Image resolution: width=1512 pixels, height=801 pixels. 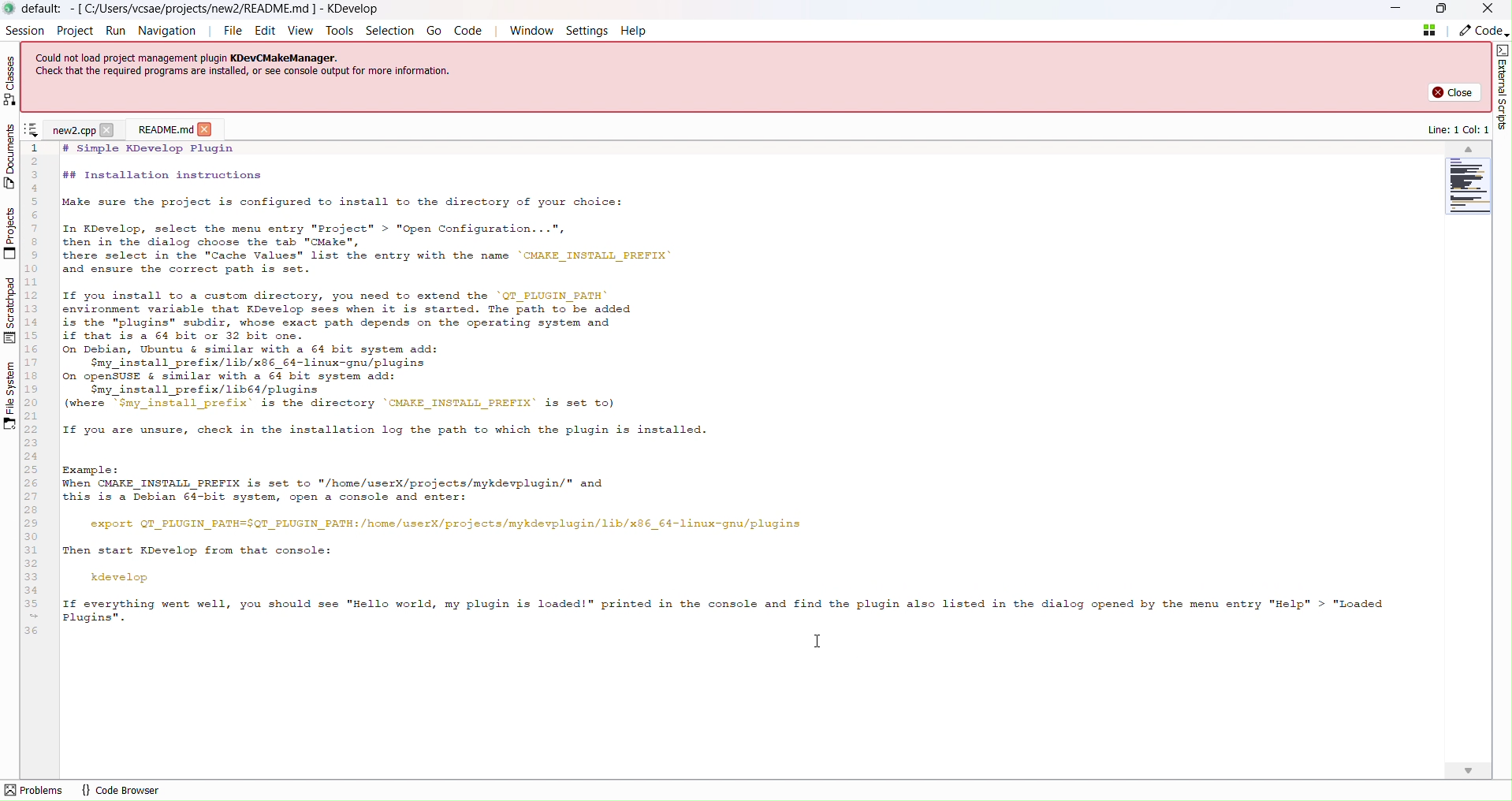 I want to click on cursor, so click(x=816, y=641).